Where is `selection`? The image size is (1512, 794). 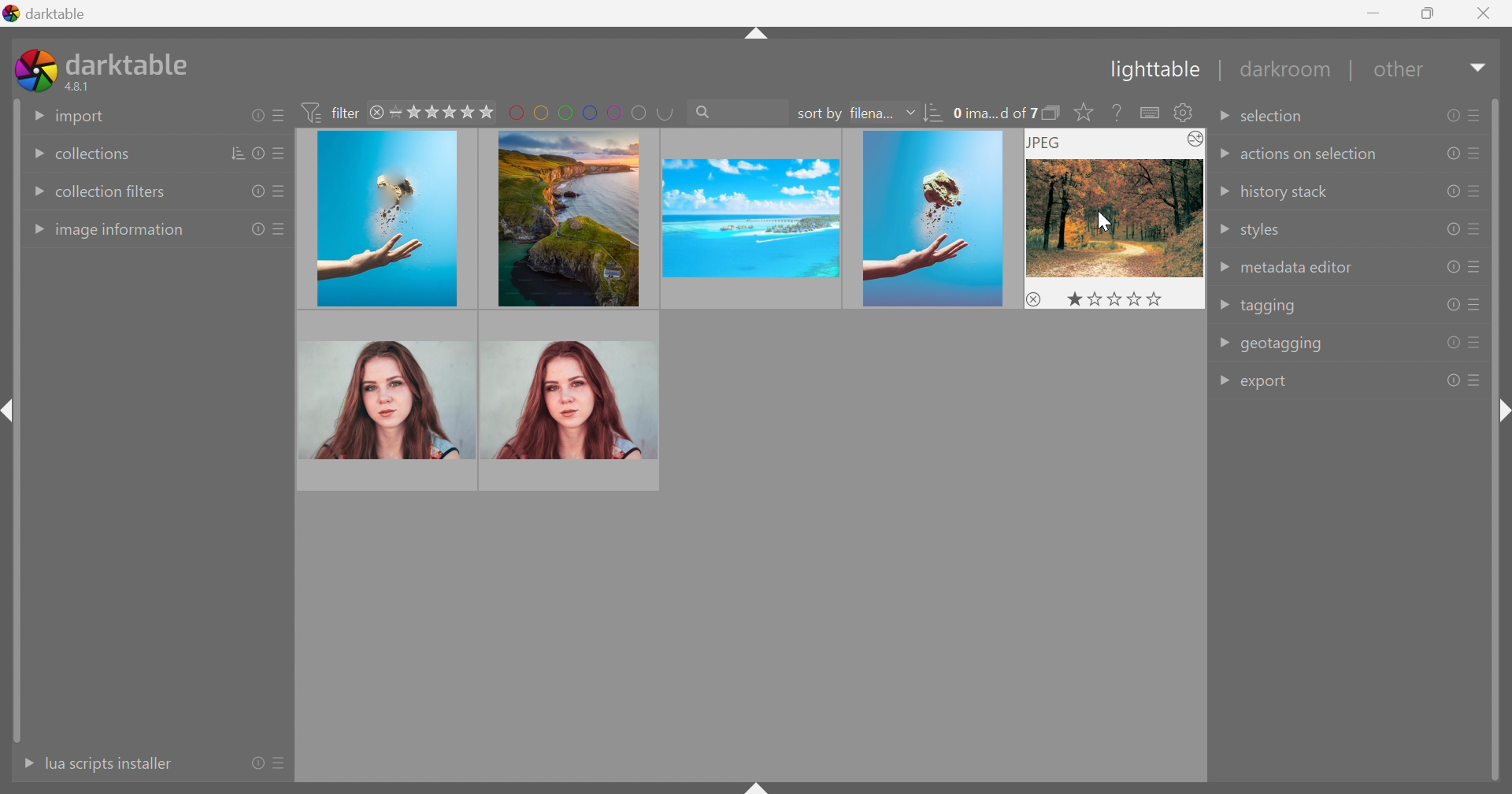
selection is located at coordinates (1277, 117).